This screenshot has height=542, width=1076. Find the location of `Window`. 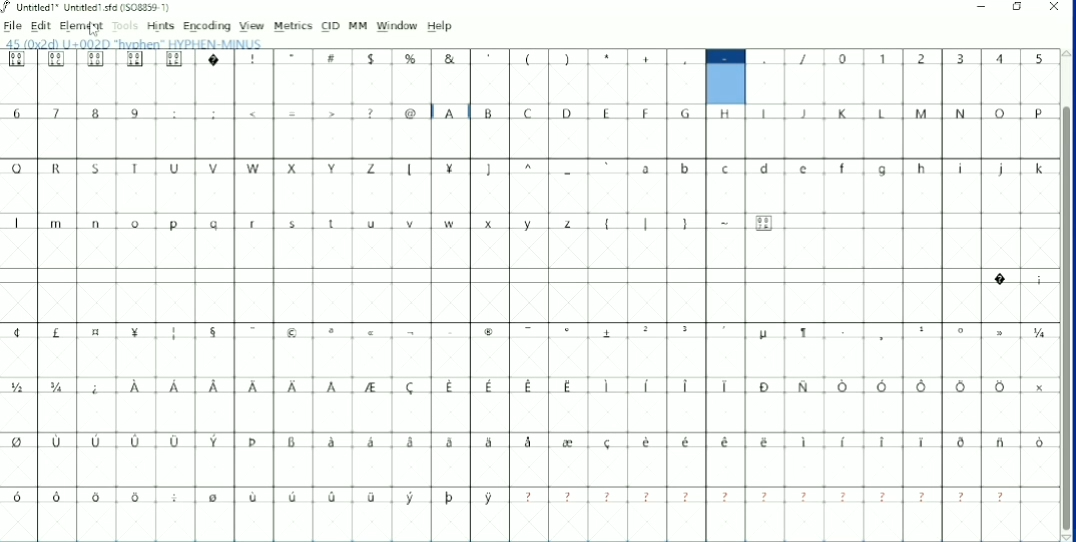

Window is located at coordinates (397, 26).